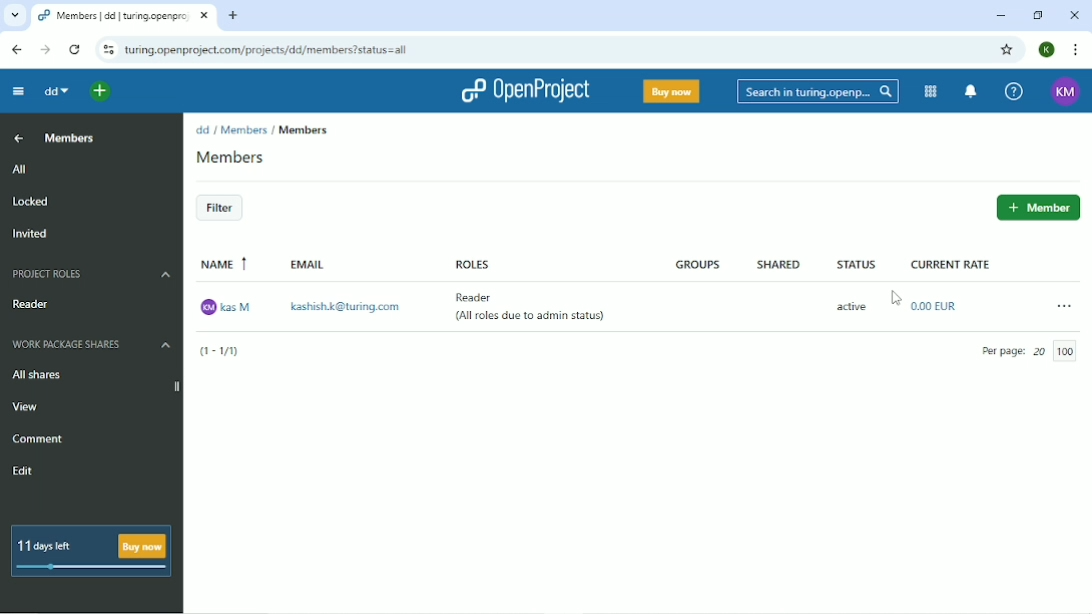  I want to click on Open quick add me, so click(98, 93).